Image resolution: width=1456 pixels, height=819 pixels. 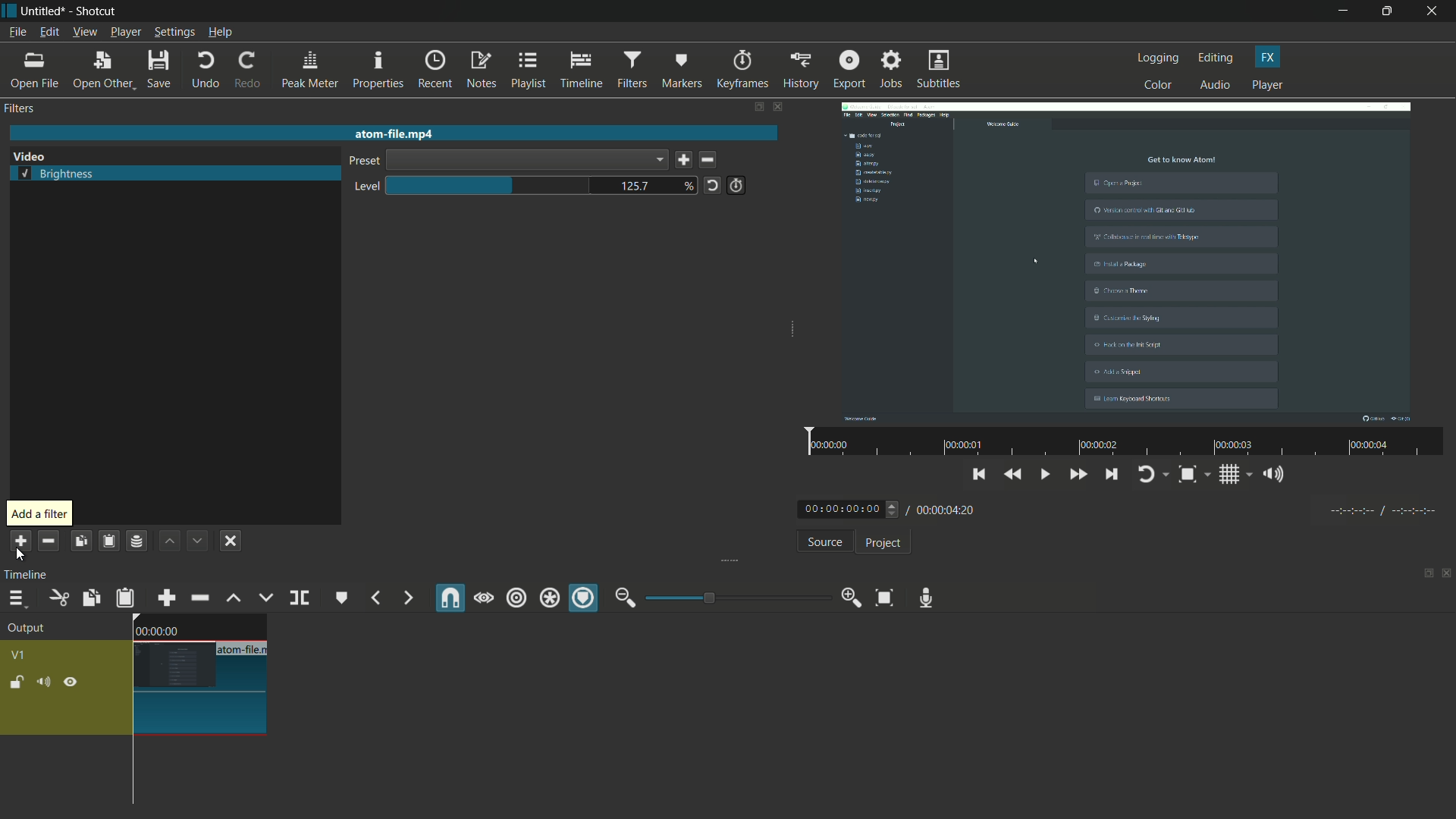 I want to click on show the volume control, so click(x=1278, y=475).